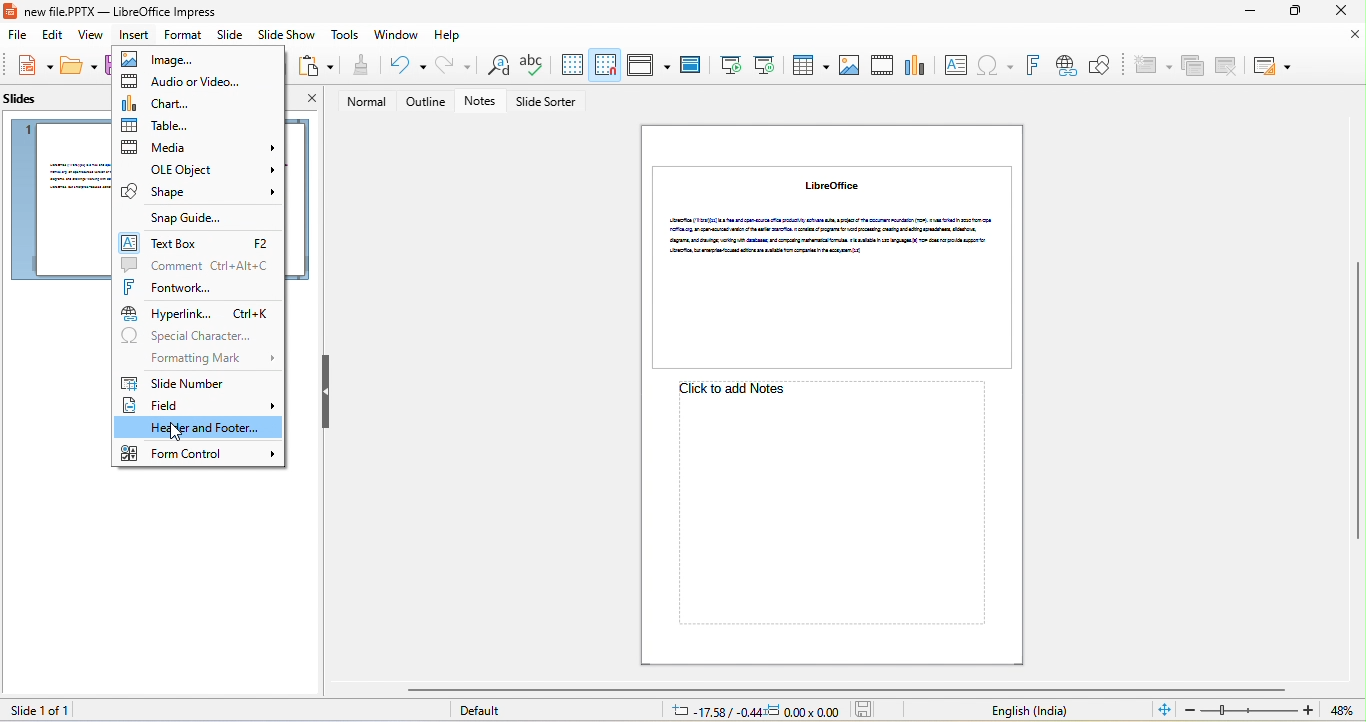 This screenshot has height=722, width=1366. Describe the element at coordinates (487, 712) in the screenshot. I see `default` at that location.